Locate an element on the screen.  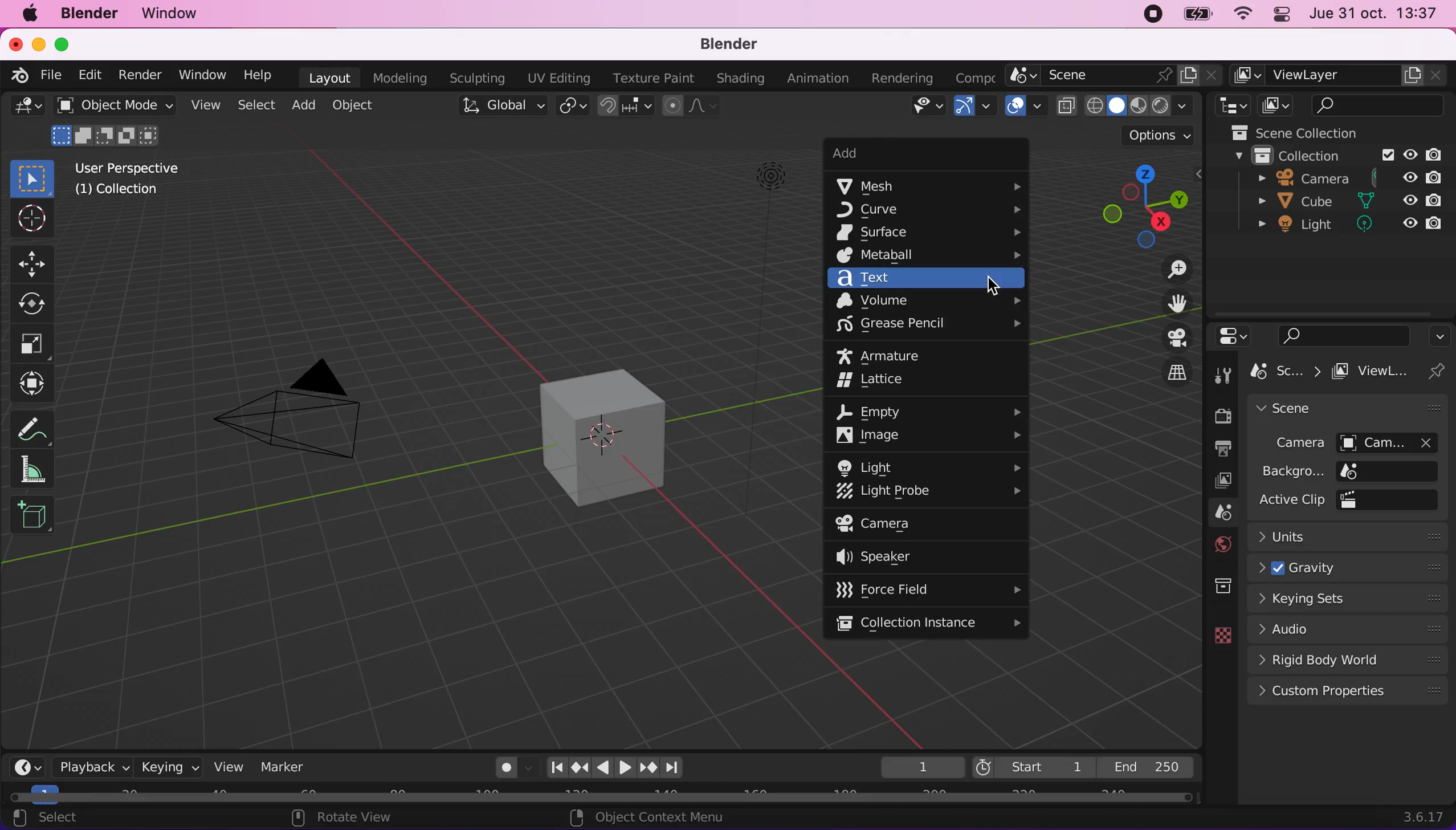
text is located at coordinates (928, 279).